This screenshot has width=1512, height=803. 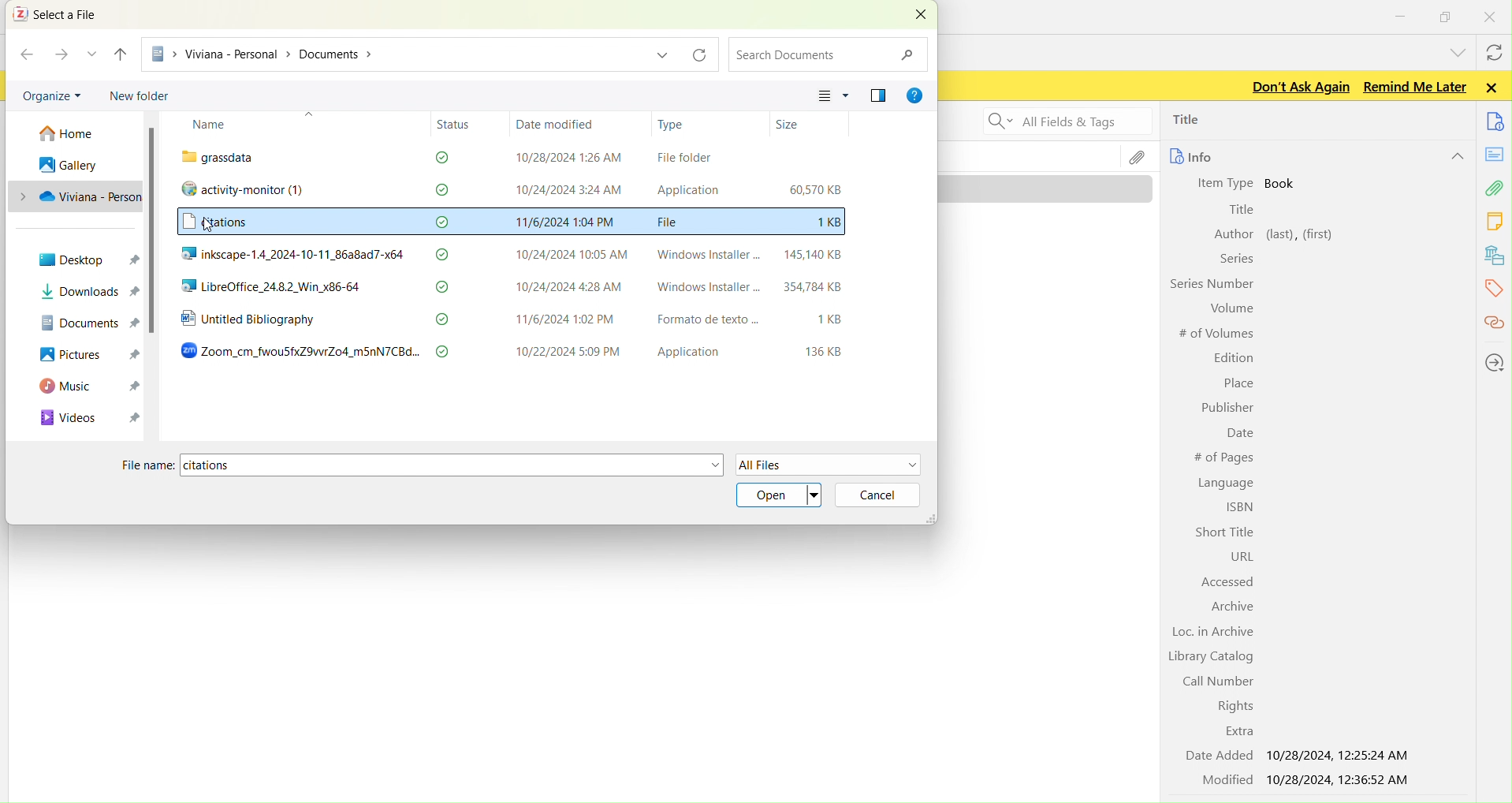 I want to click on 1KB, so click(x=819, y=222).